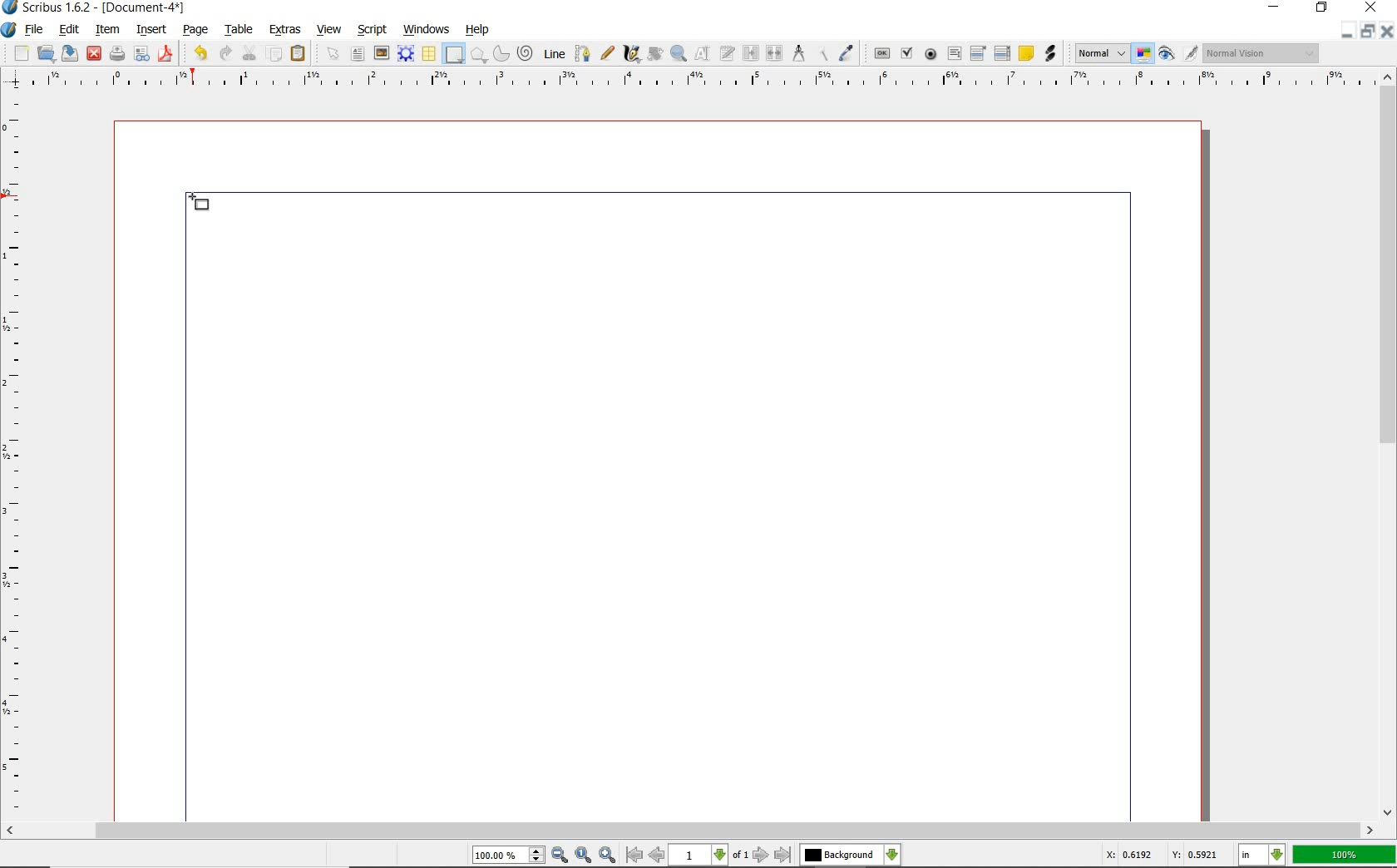 The height and width of the screenshot is (868, 1397). Describe the element at coordinates (585, 855) in the screenshot. I see `zoom to 100%` at that location.